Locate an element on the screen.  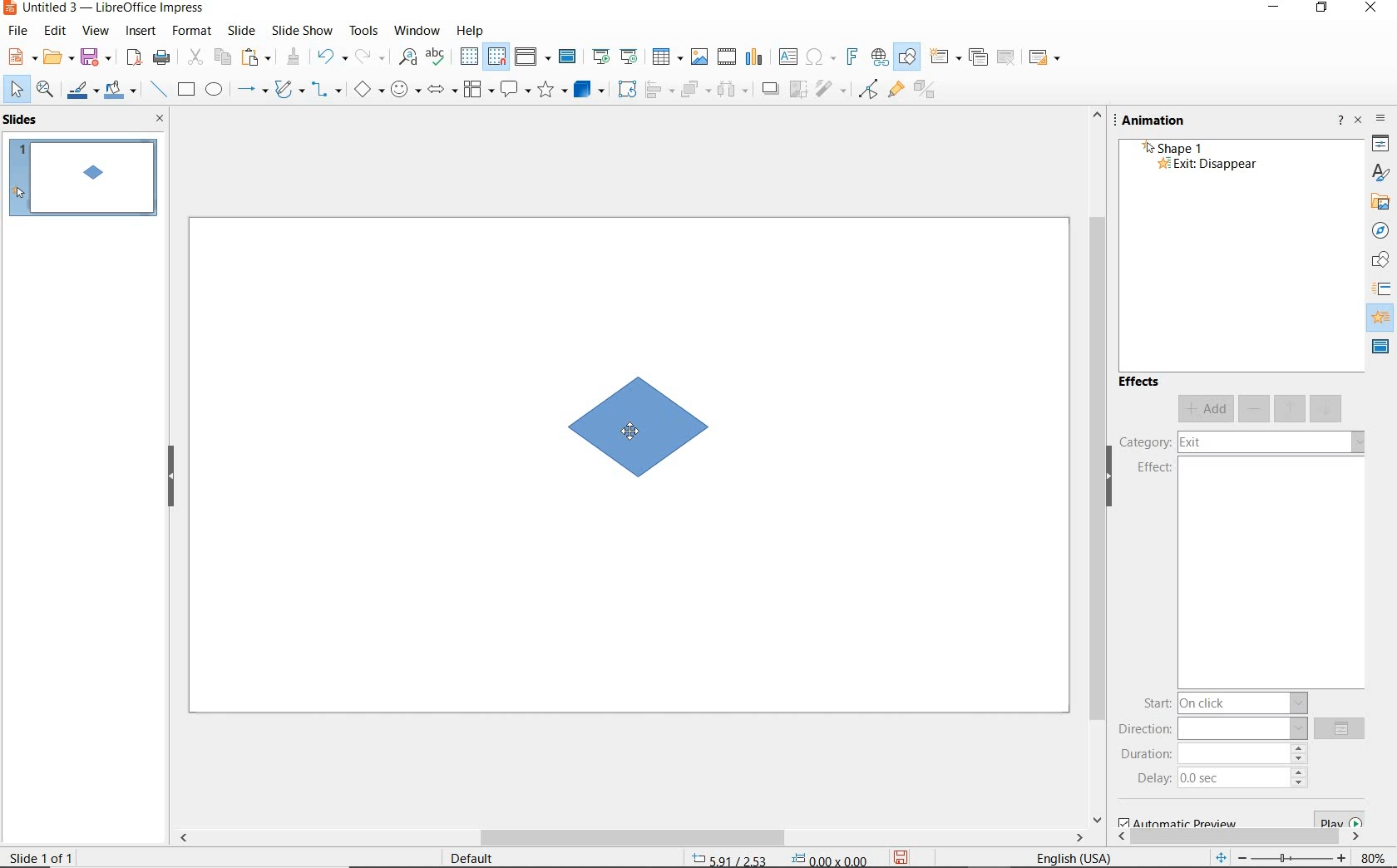
save is located at coordinates (903, 857).